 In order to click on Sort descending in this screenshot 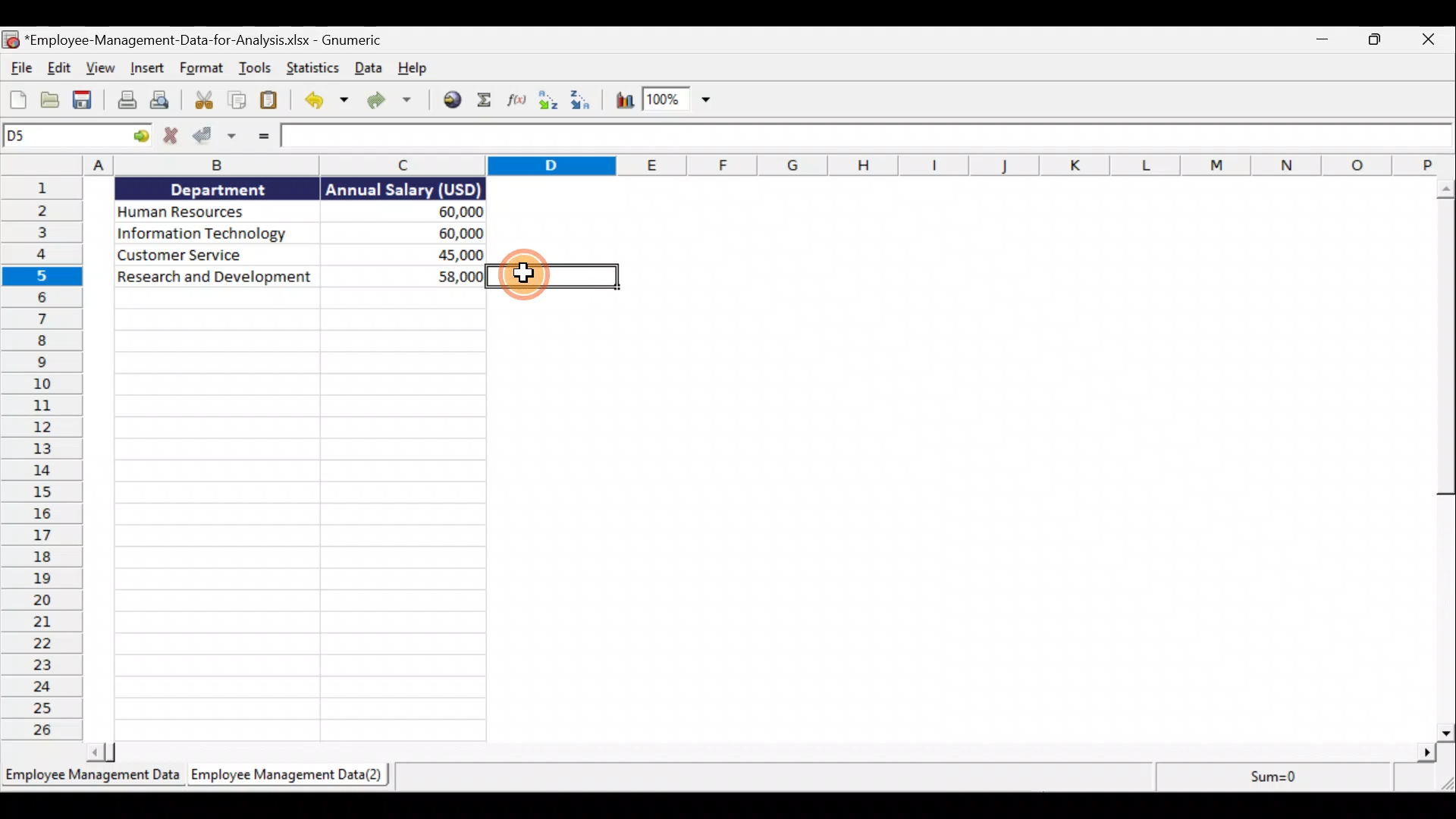, I will do `click(588, 103)`.